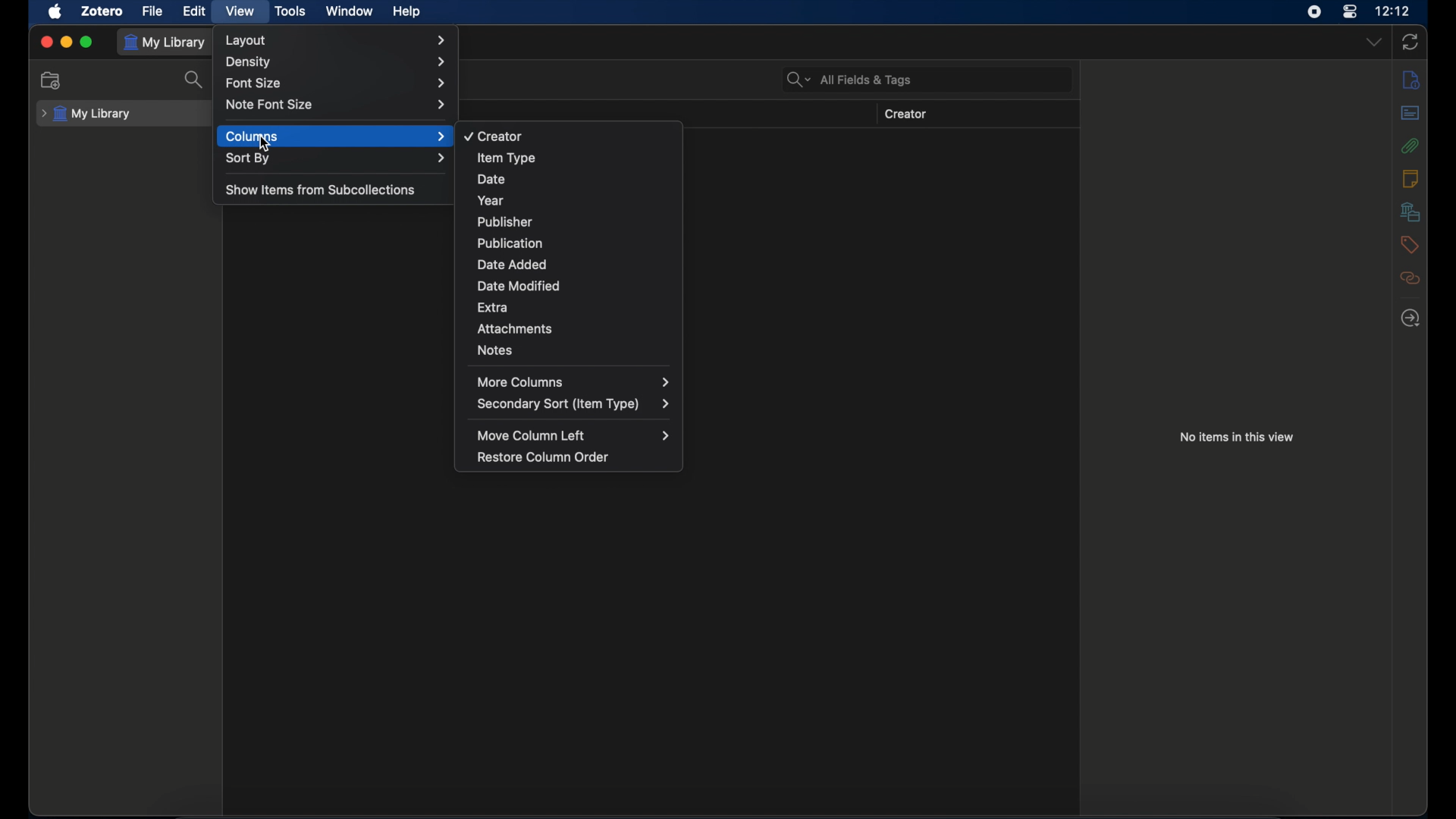 Image resolution: width=1456 pixels, height=819 pixels. Describe the element at coordinates (1411, 81) in the screenshot. I see `info` at that location.